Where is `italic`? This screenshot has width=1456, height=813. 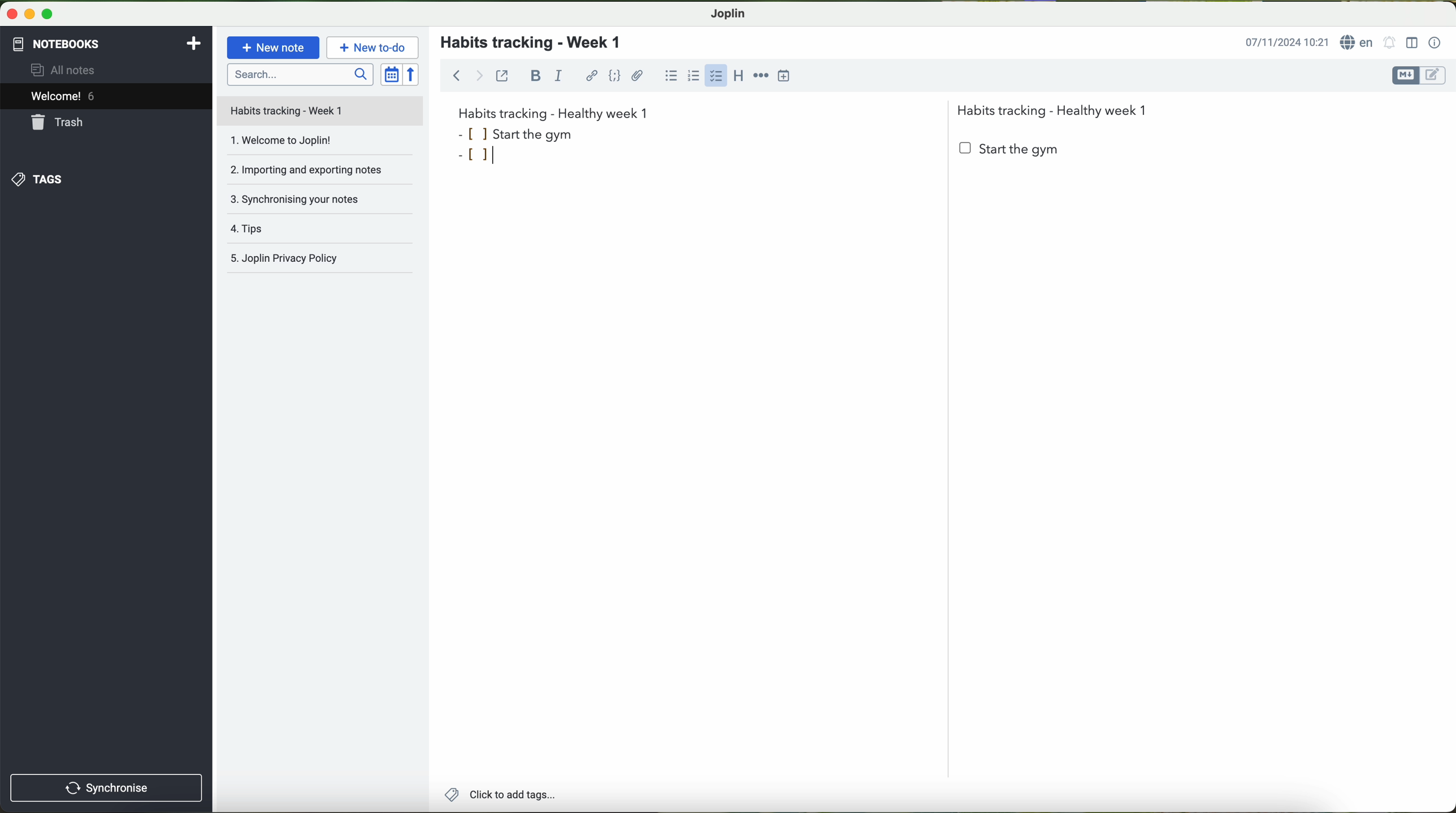
italic is located at coordinates (558, 75).